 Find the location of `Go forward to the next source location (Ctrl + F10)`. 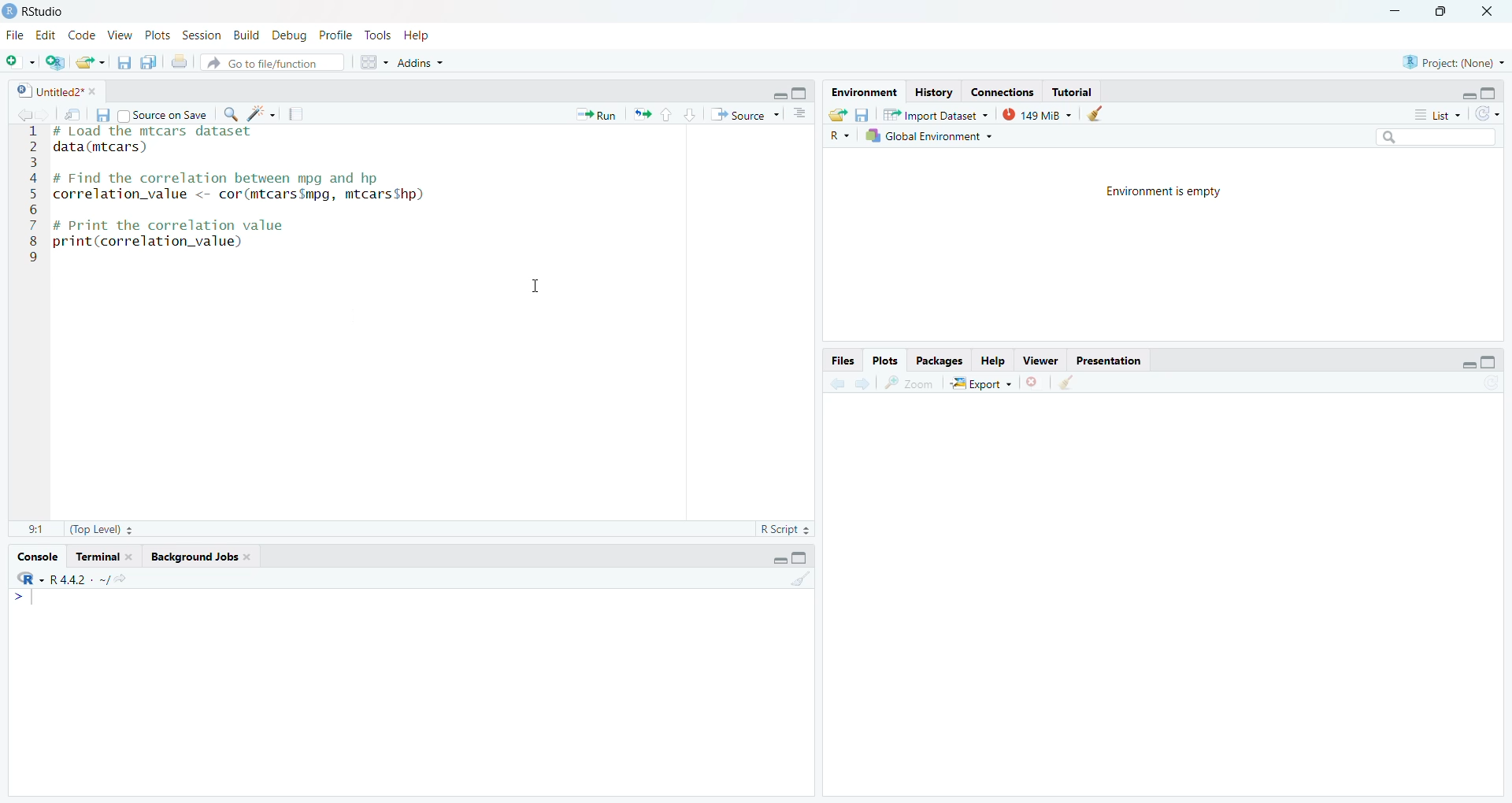

Go forward to the next source location (Ctrl + F10) is located at coordinates (44, 113).